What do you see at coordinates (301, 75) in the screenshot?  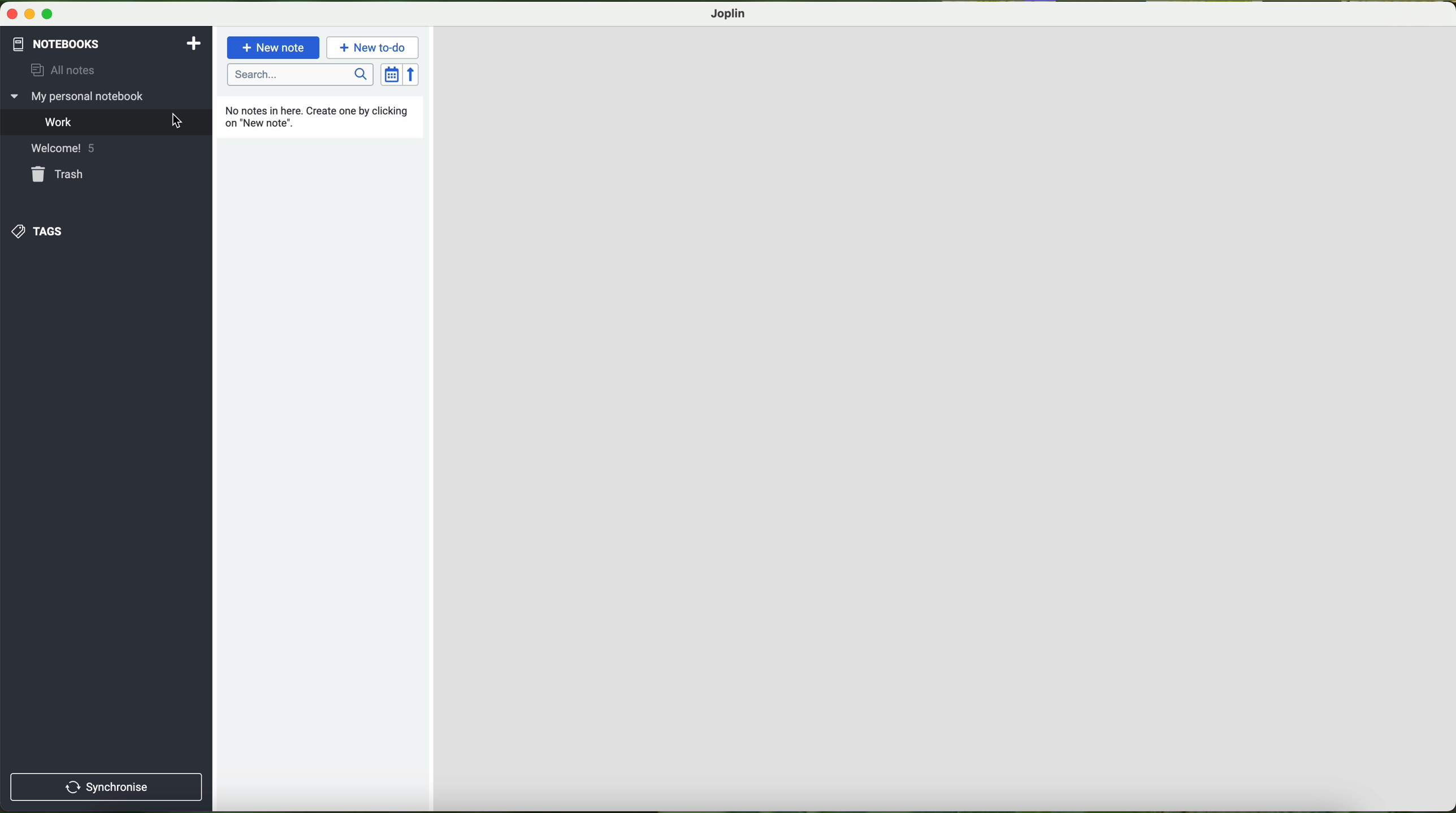 I see `search bar` at bounding box center [301, 75].